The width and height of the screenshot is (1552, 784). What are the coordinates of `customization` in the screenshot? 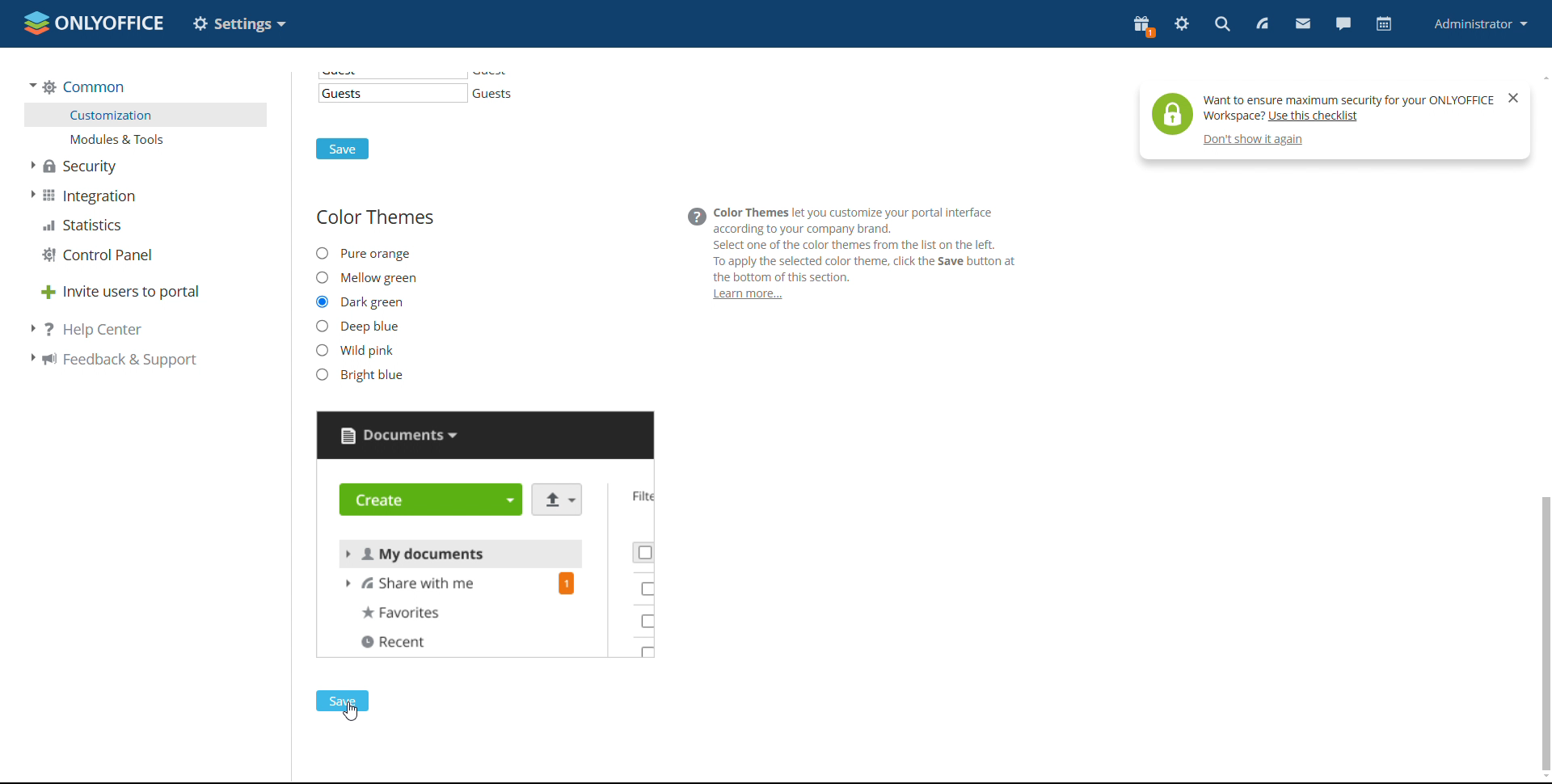 It's located at (147, 115).